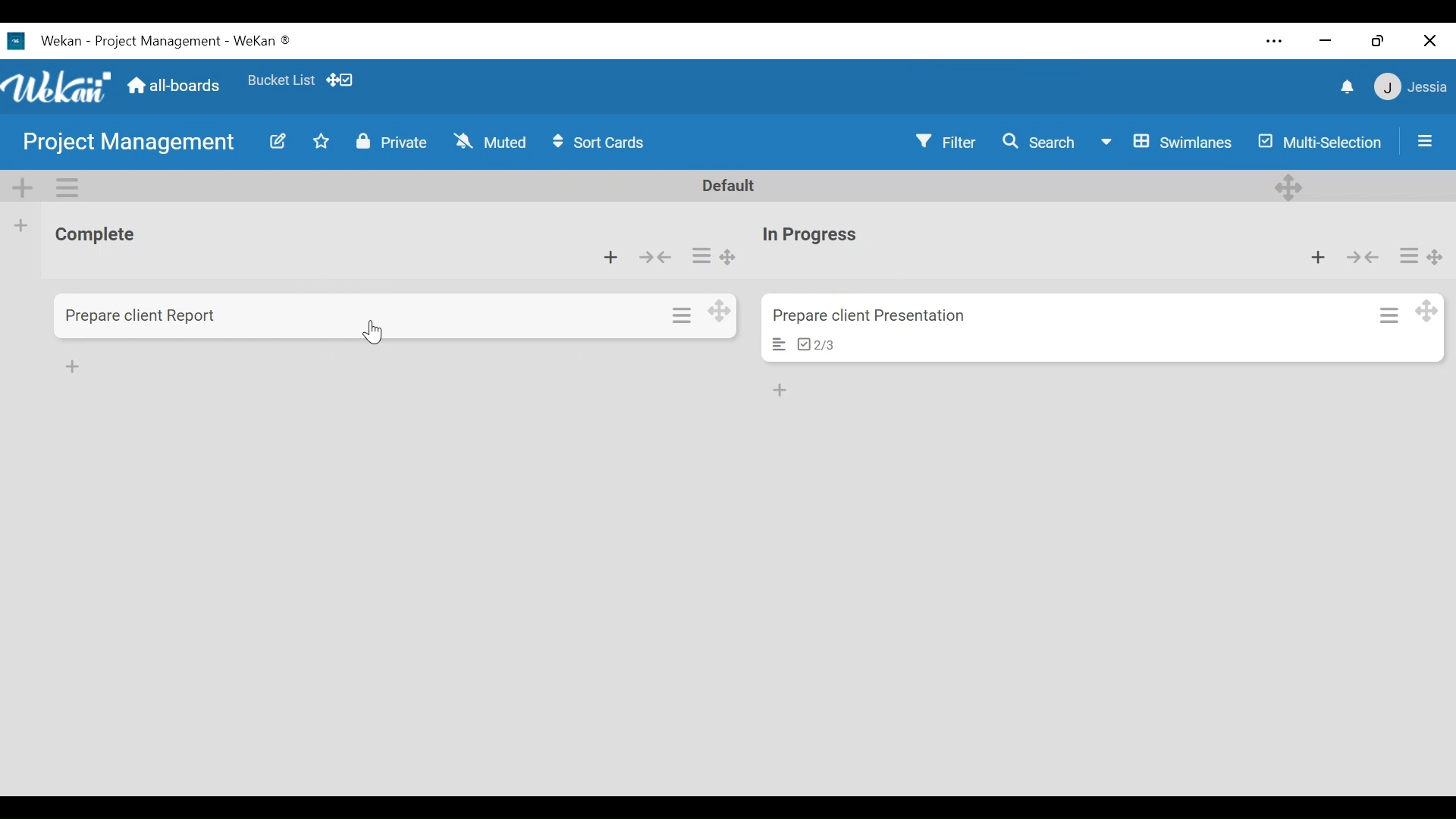 This screenshot has height=819, width=1456. What do you see at coordinates (1317, 142) in the screenshot?
I see `Multi-Selection` at bounding box center [1317, 142].